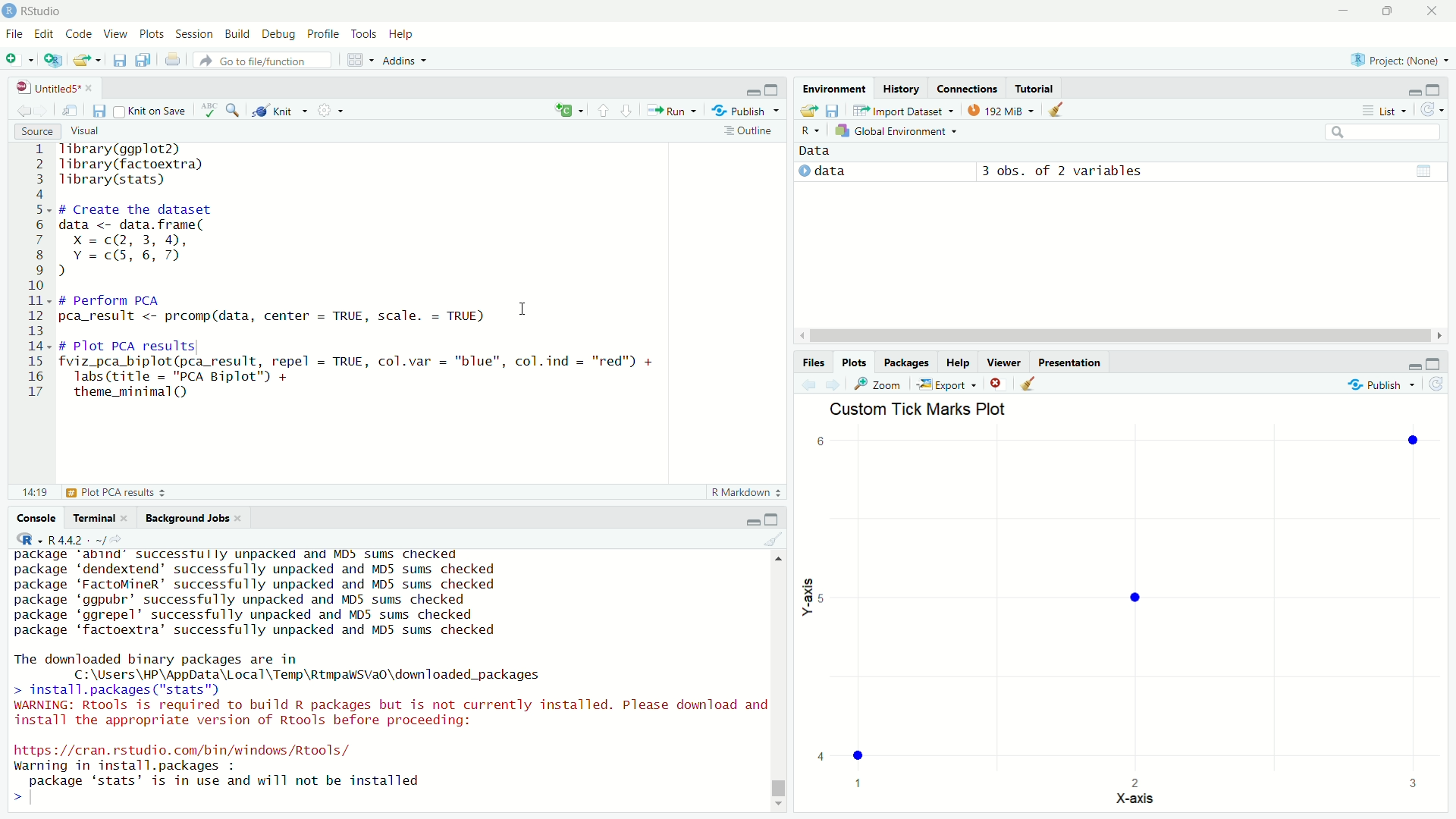 The width and height of the screenshot is (1456, 819). What do you see at coordinates (996, 383) in the screenshot?
I see `remove the current plot` at bounding box center [996, 383].